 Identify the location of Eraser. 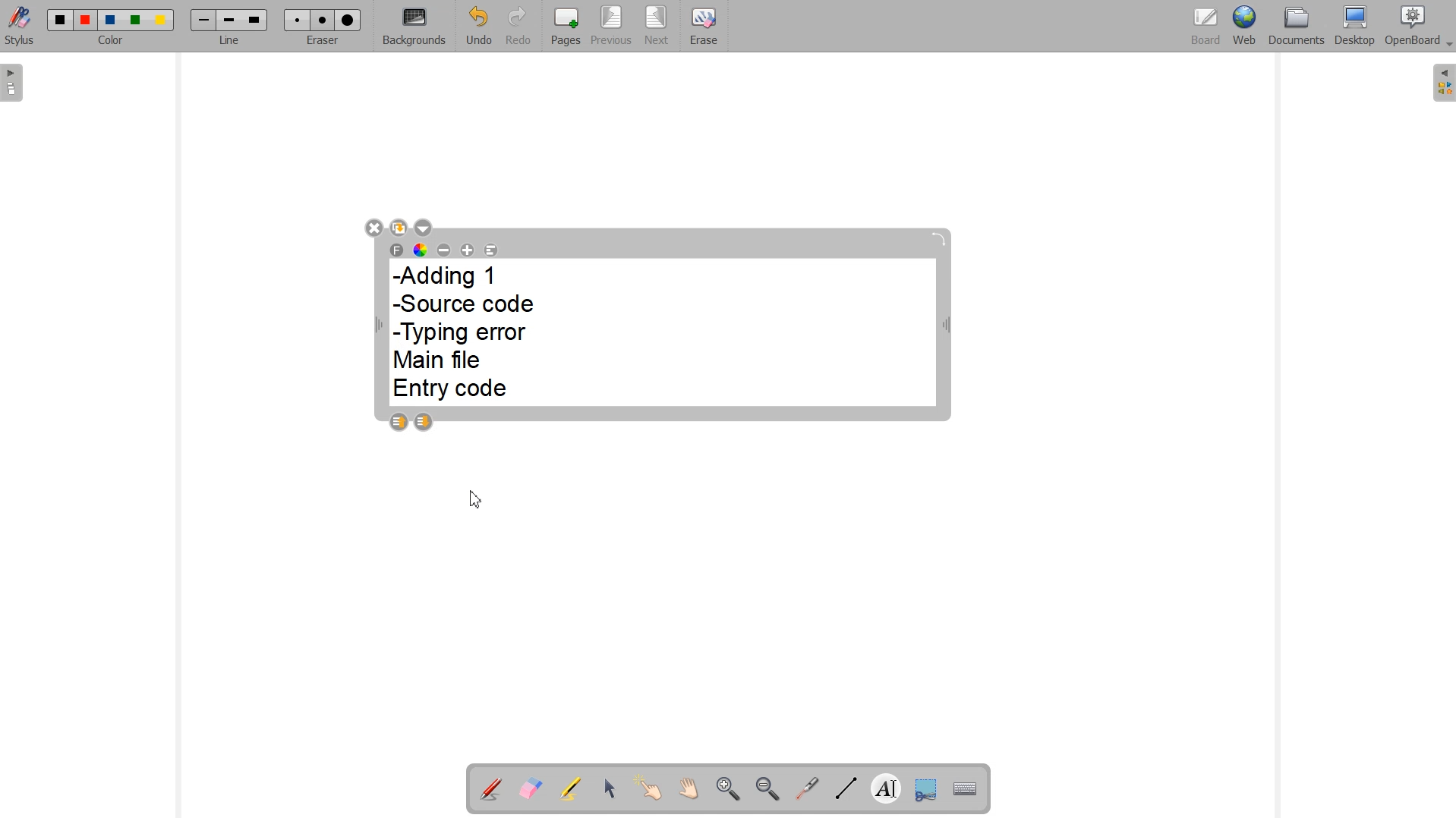
(321, 41).